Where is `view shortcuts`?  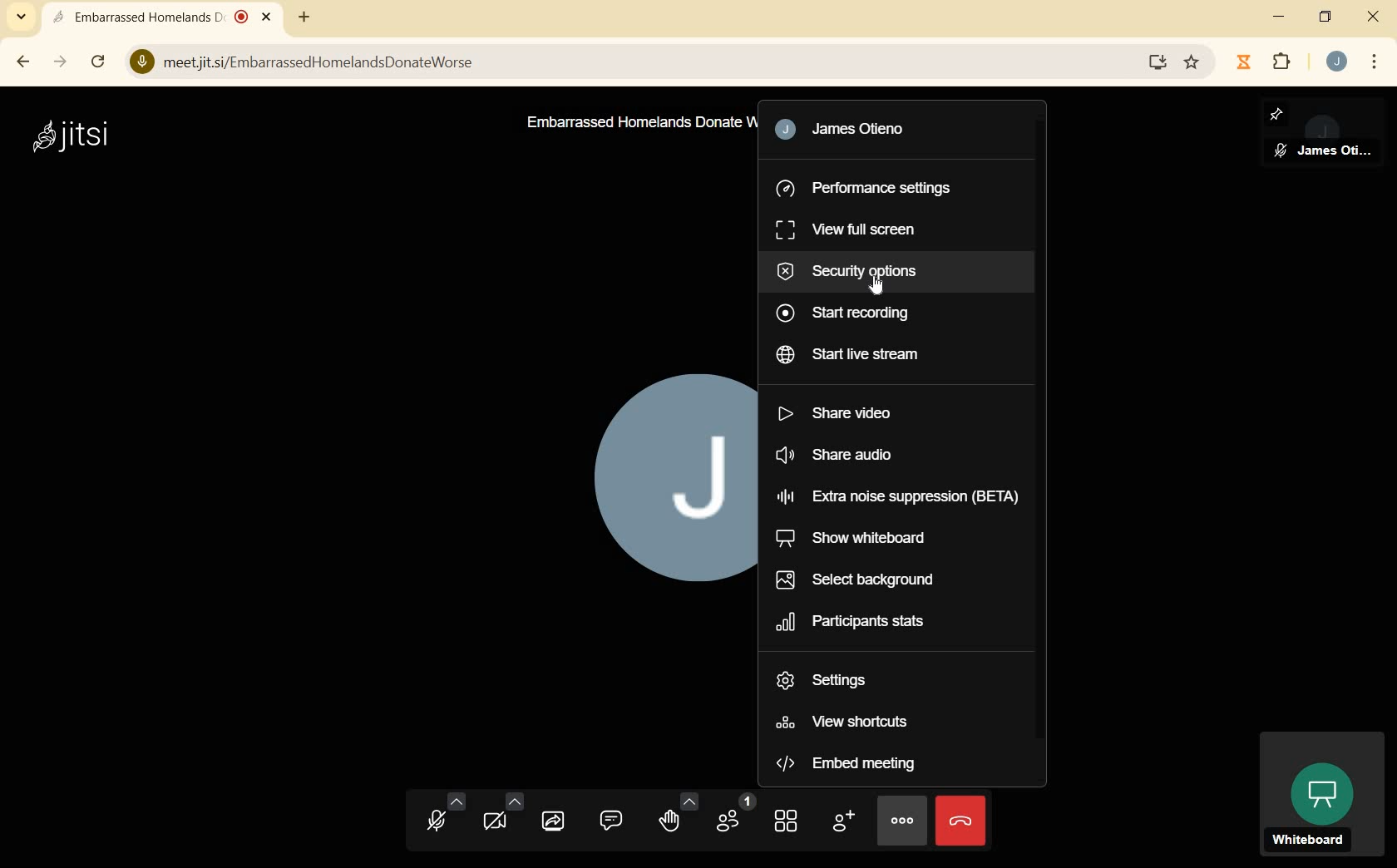
view shortcuts is located at coordinates (853, 721).